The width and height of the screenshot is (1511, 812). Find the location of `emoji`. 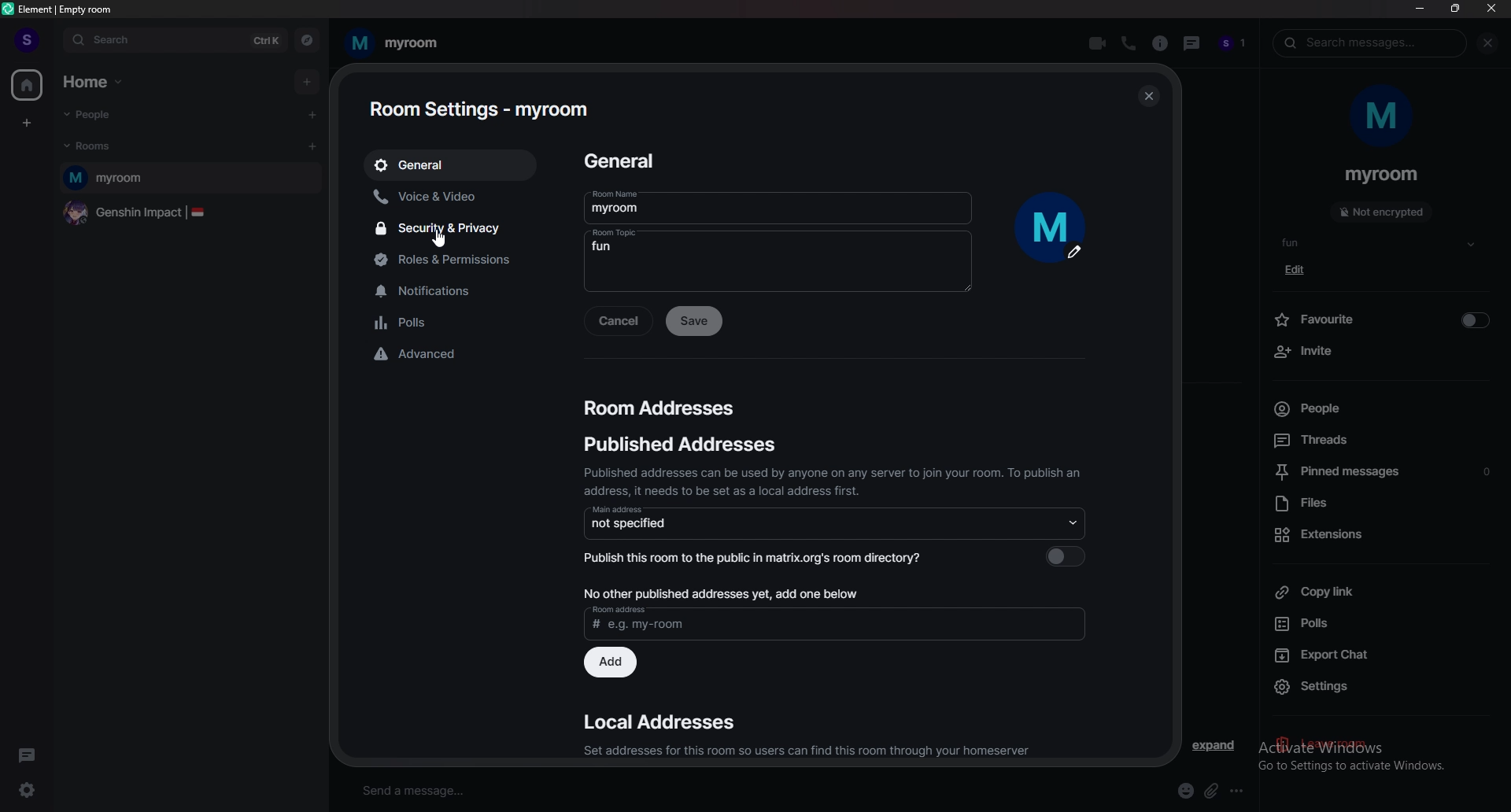

emoji is located at coordinates (1185, 792).